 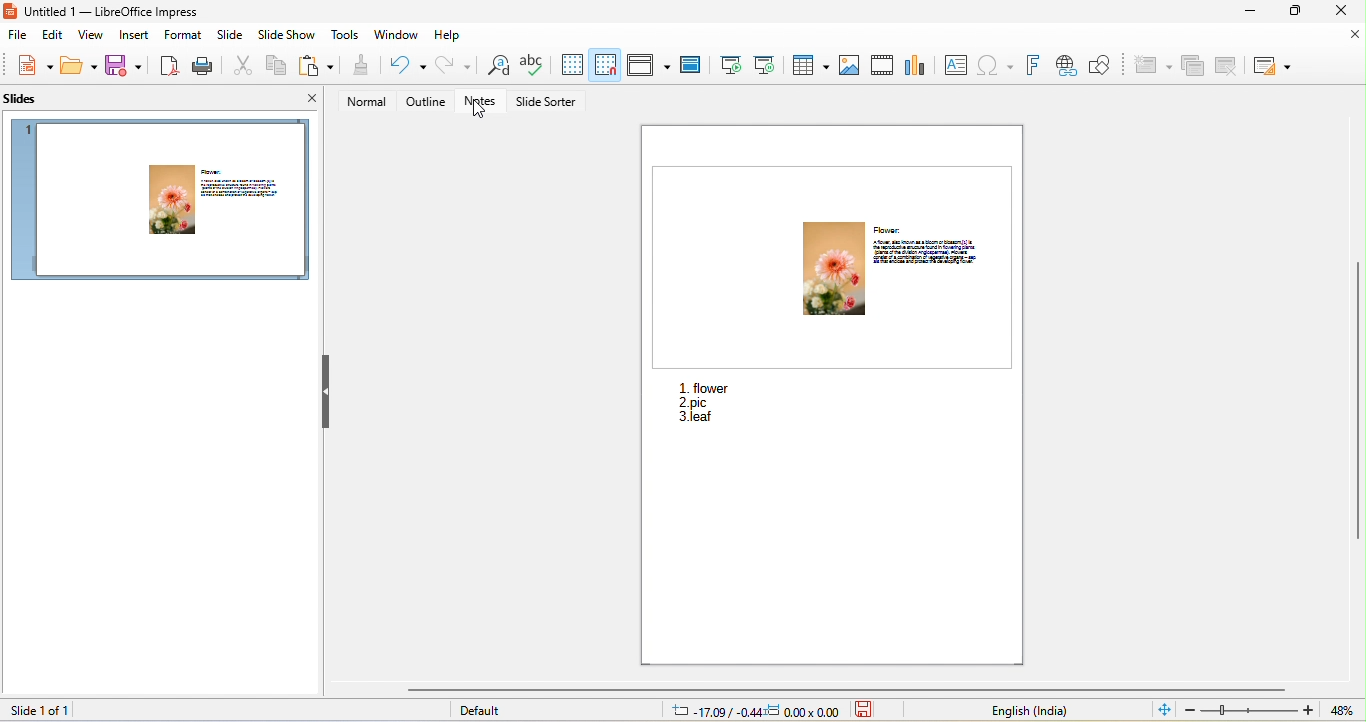 What do you see at coordinates (33, 99) in the screenshot?
I see `slides` at bounding box center [33, 99].